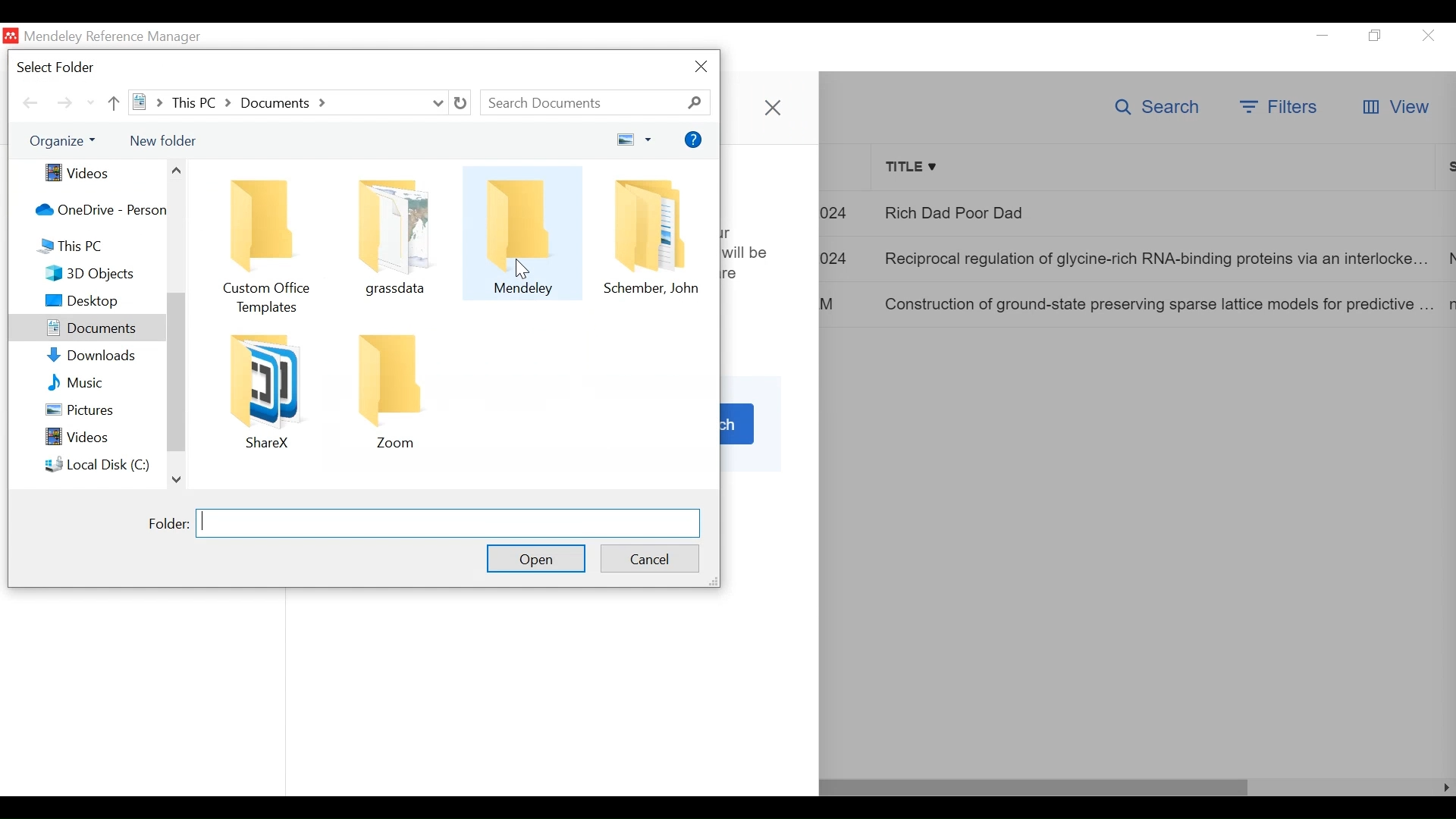 Image resolution: width=1456 pixels, height=819 pixels. Describe the element at coordinates (1153, 259) in the screenshot. I see `Reciprocal regulation of glycine-rich RNA-binding proteins via an interlocke...` at that location.